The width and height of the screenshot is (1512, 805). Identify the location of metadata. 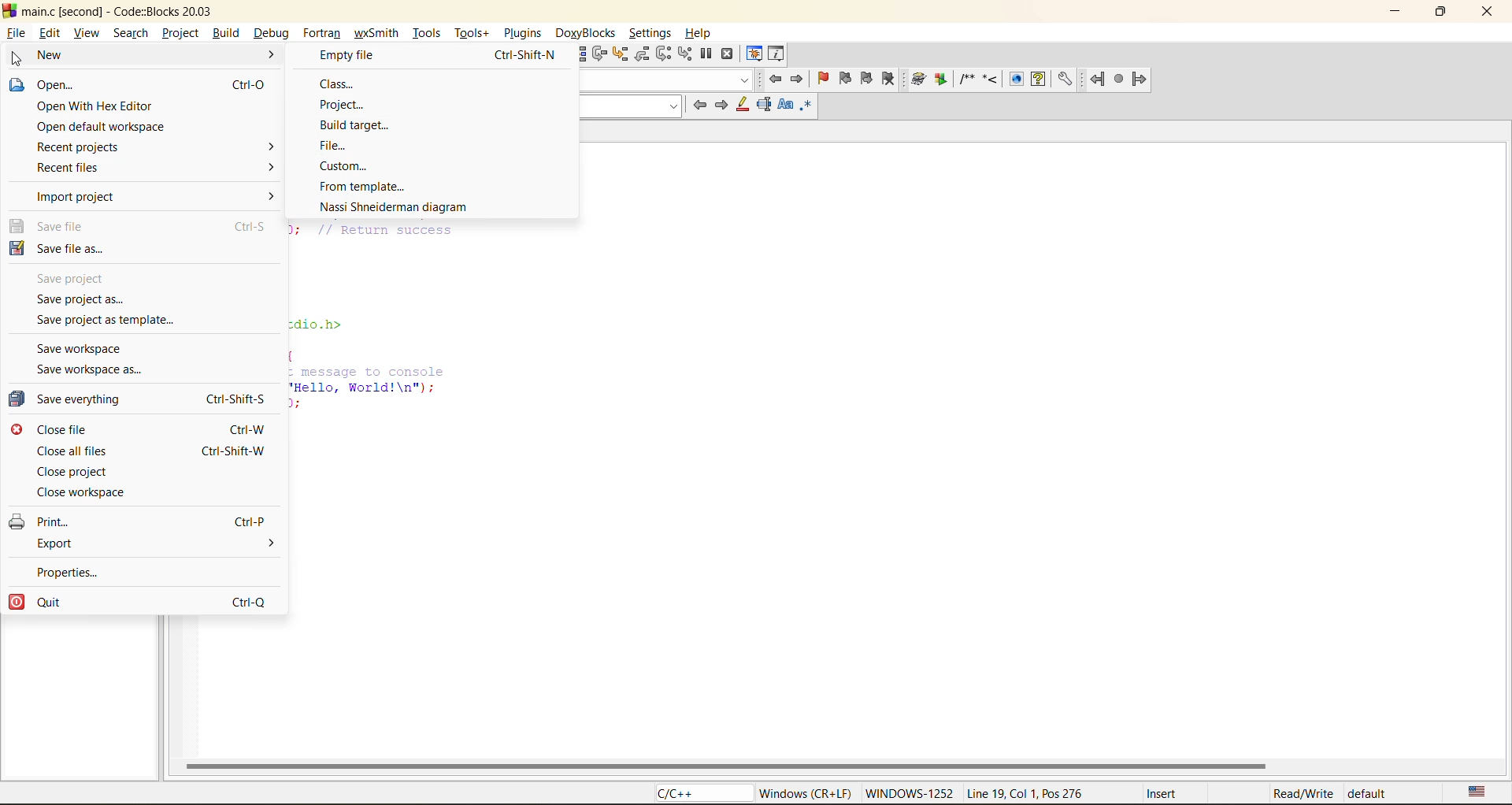
(1078, 793).